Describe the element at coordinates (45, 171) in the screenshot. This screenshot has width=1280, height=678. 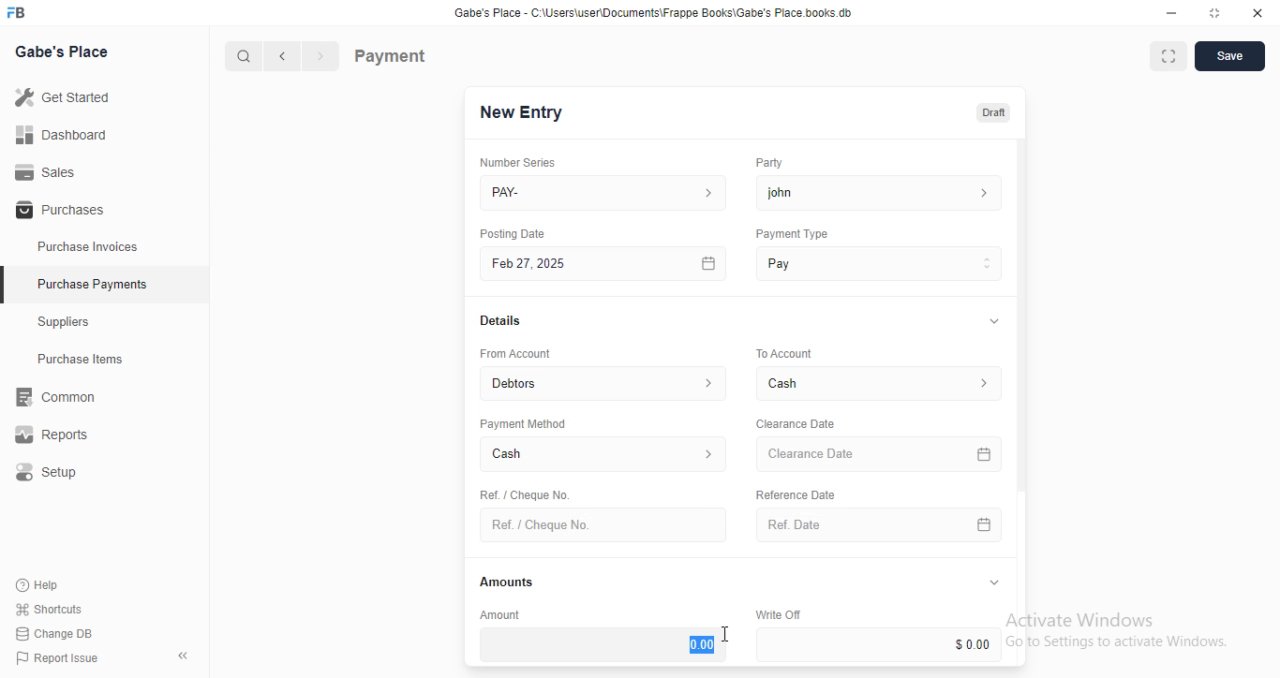
I see `Sales` at that location.